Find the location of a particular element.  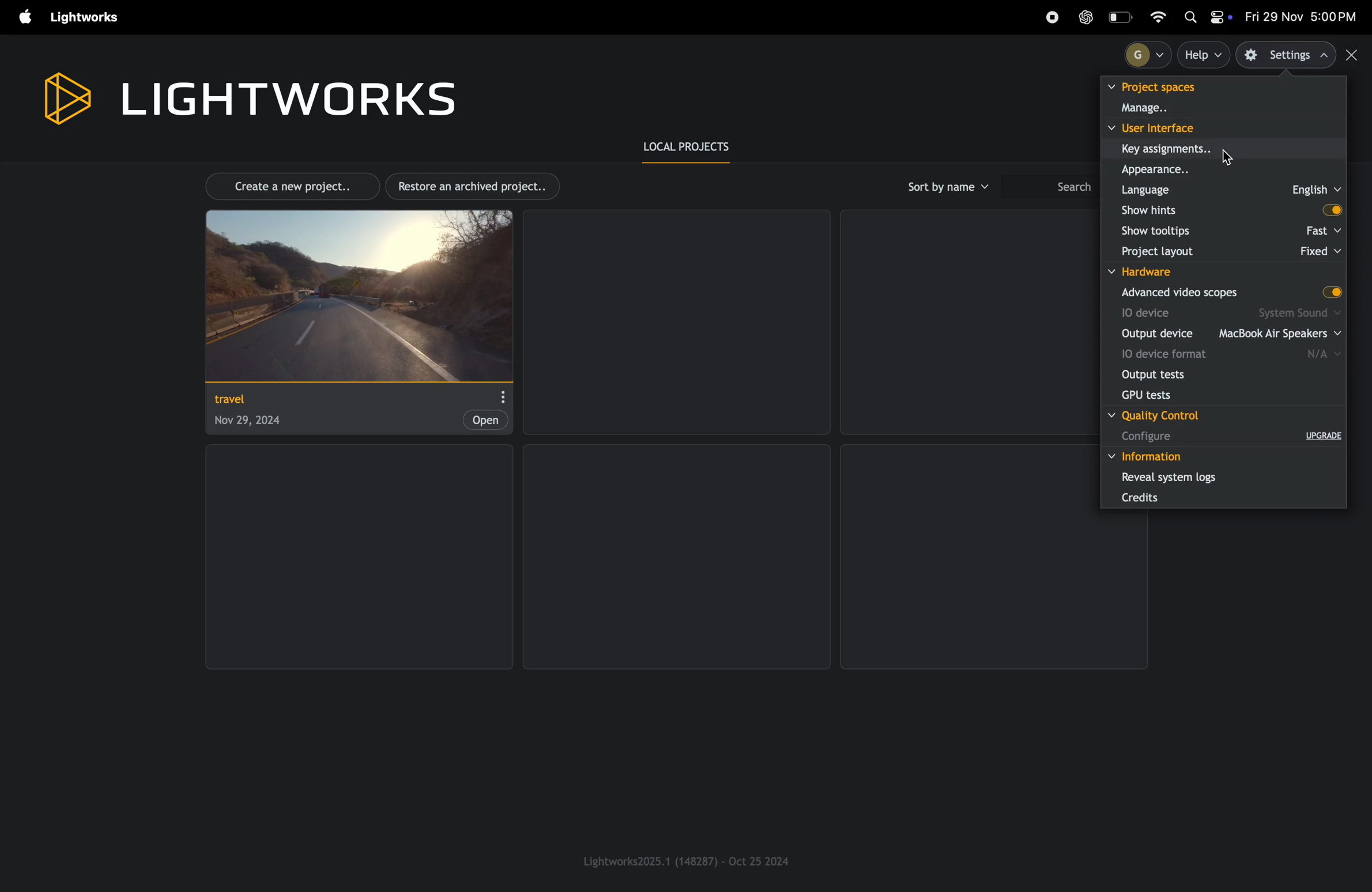

toggle is located at coordinates (1332, 210).